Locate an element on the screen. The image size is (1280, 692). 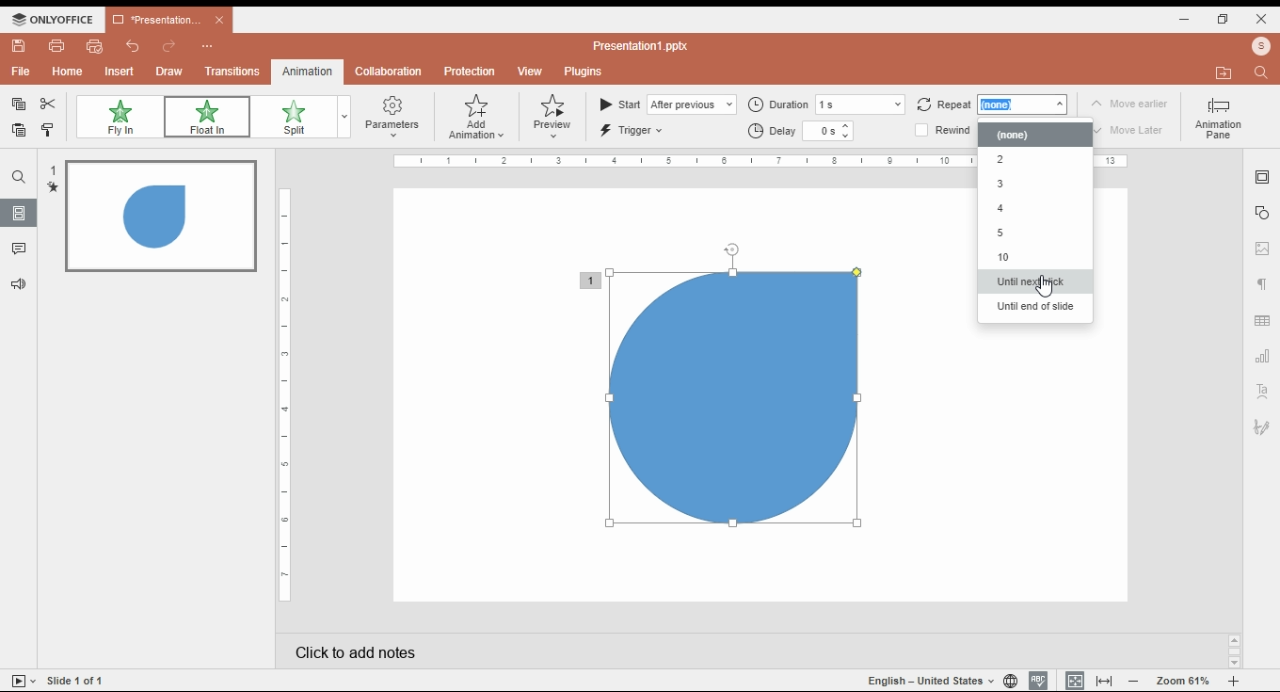
view is located at coordinates (529, 72).